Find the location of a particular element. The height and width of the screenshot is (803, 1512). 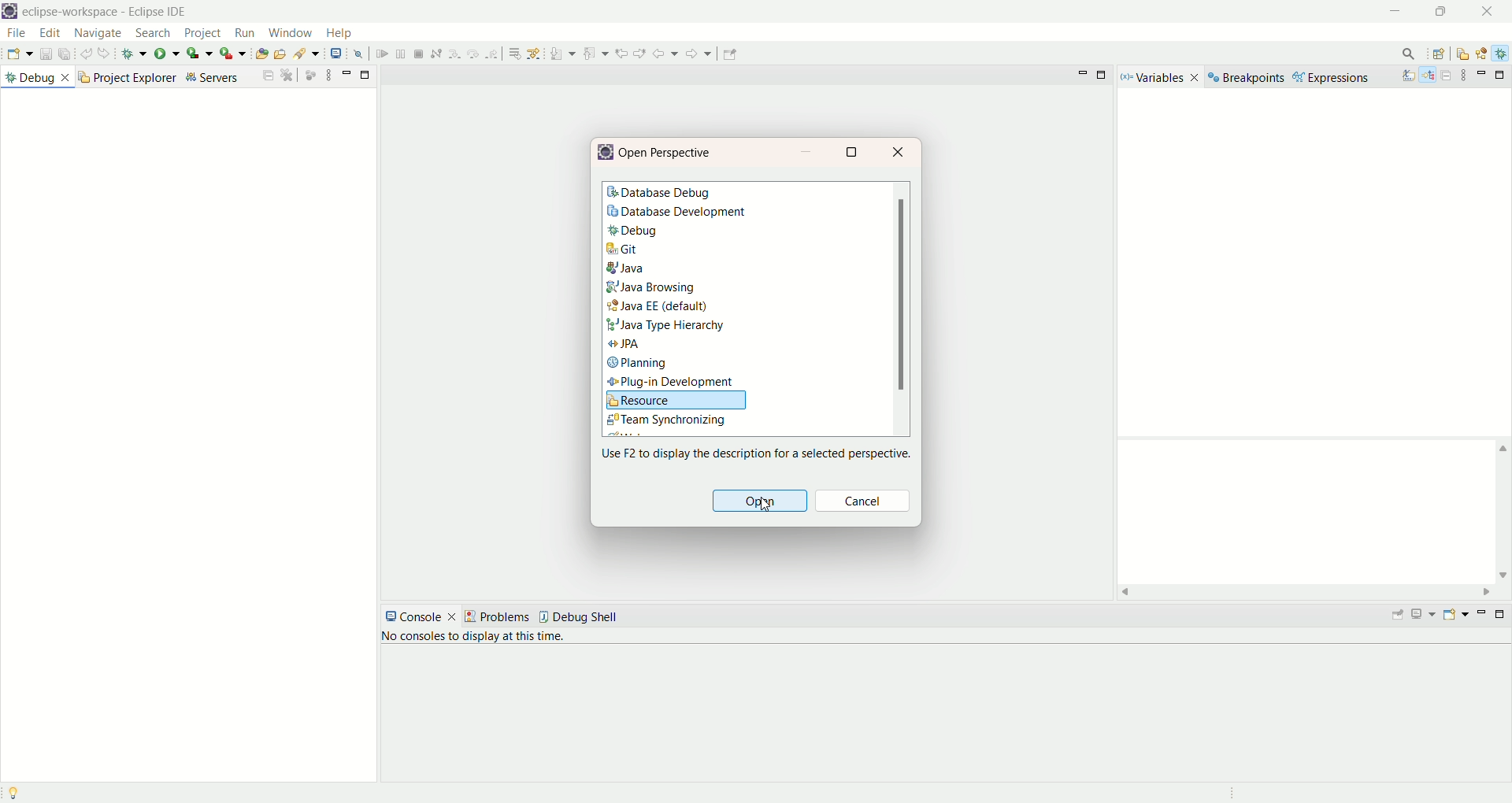

undo is located at coordinates (86, 54).